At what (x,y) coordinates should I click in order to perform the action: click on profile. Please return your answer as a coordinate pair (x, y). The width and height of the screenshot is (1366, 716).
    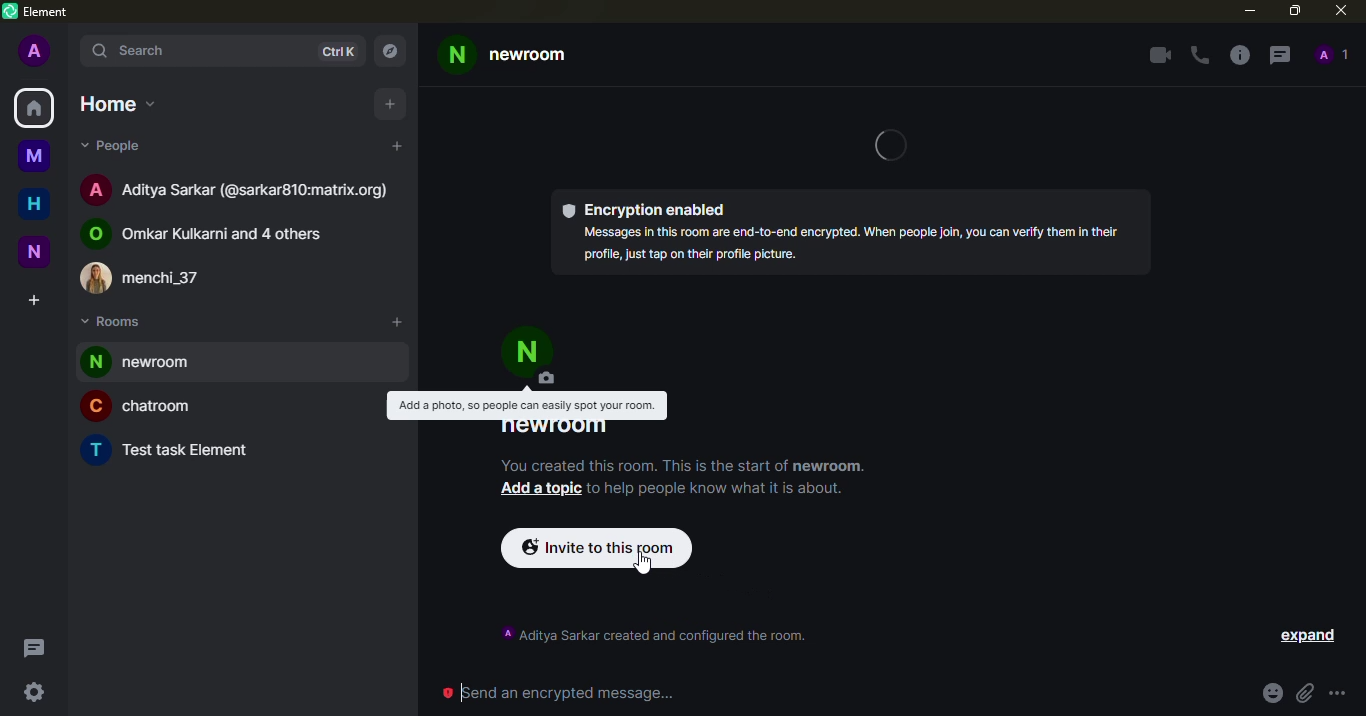
    Looking at the image, I should click on (37, 53).